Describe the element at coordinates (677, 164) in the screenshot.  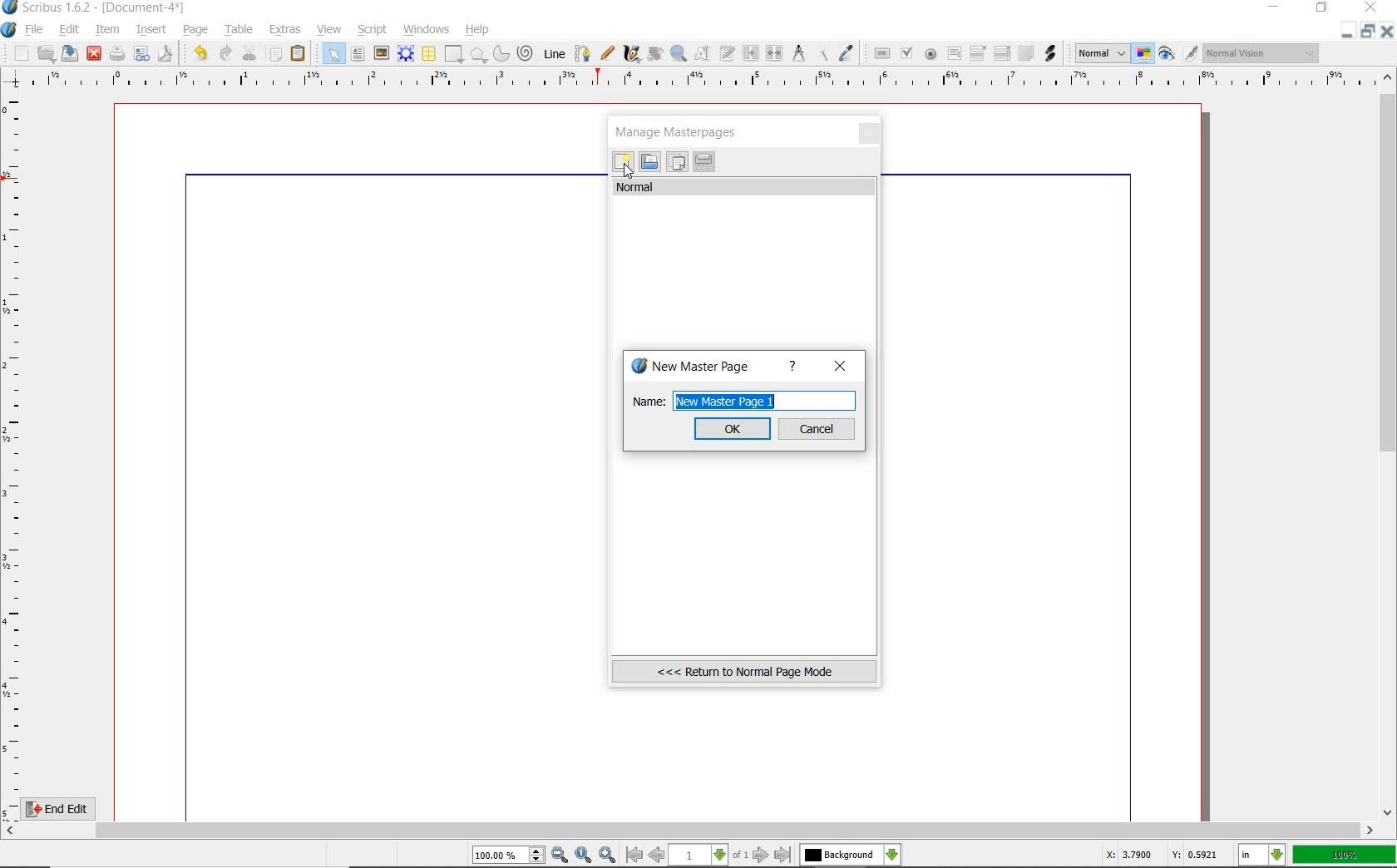
I see `duplicate the selected masterpages` at that location.